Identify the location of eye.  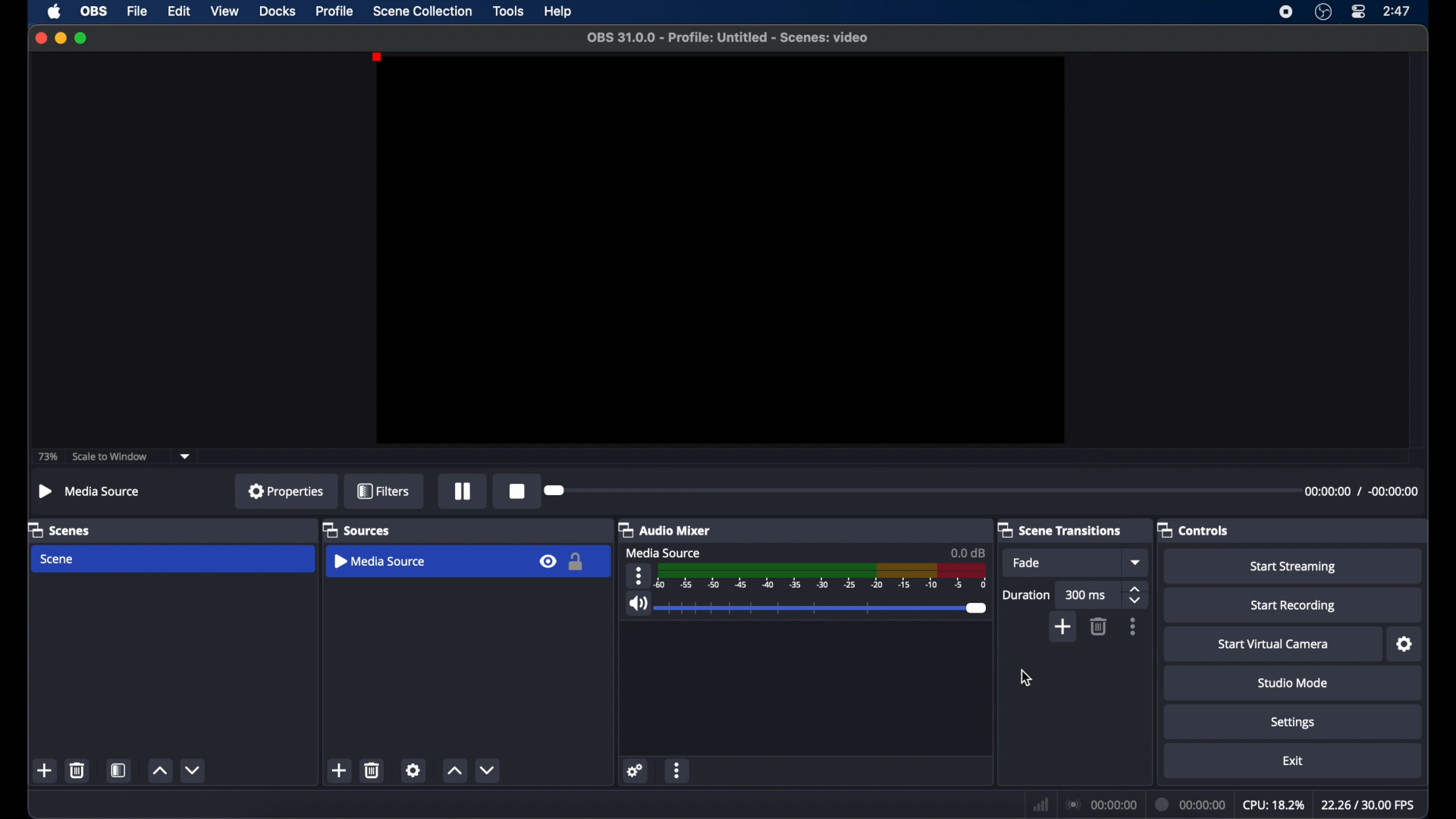
(548, 562).